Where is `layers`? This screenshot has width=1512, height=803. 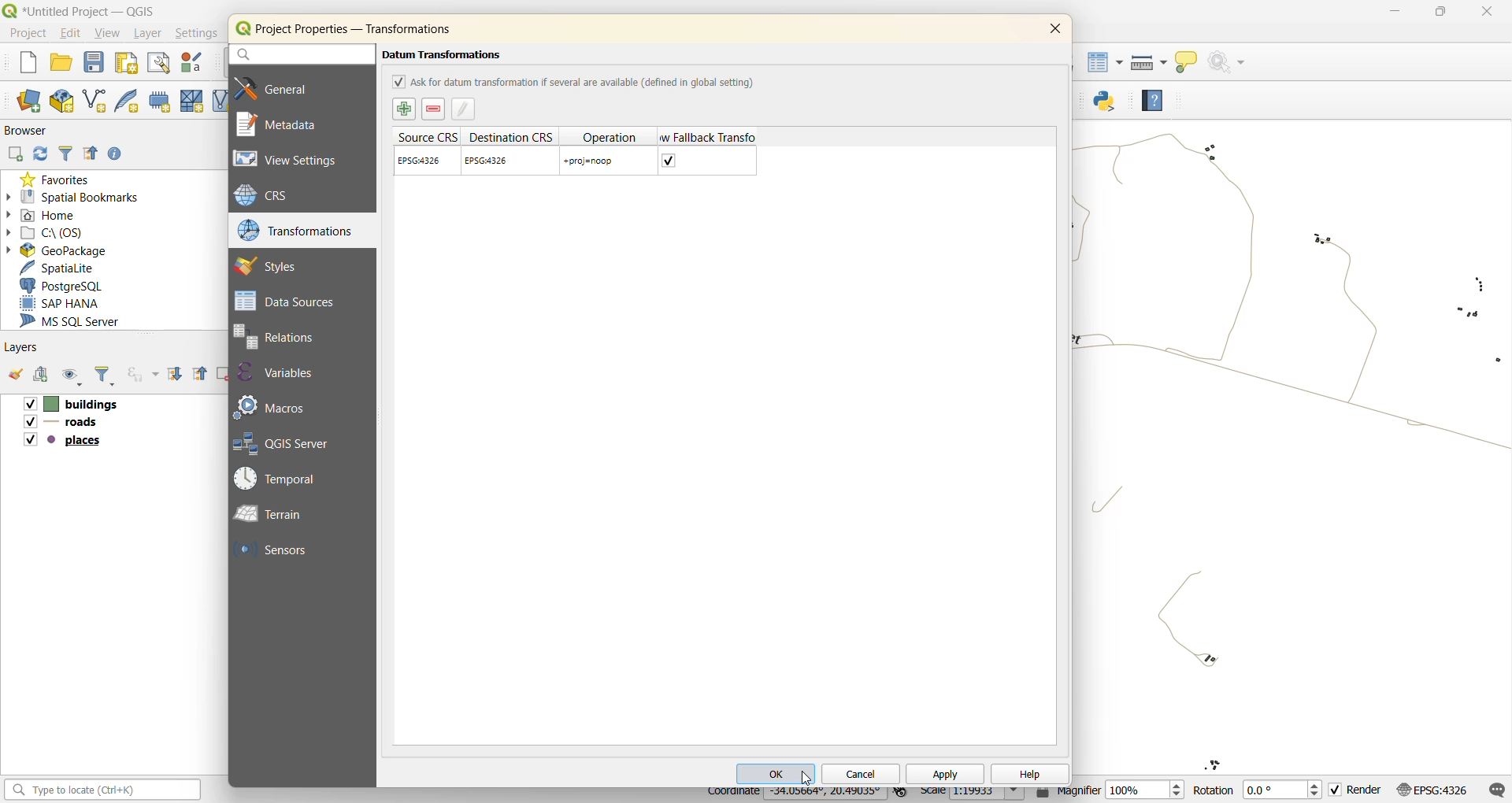
layers is located at coordinates (20, 348).